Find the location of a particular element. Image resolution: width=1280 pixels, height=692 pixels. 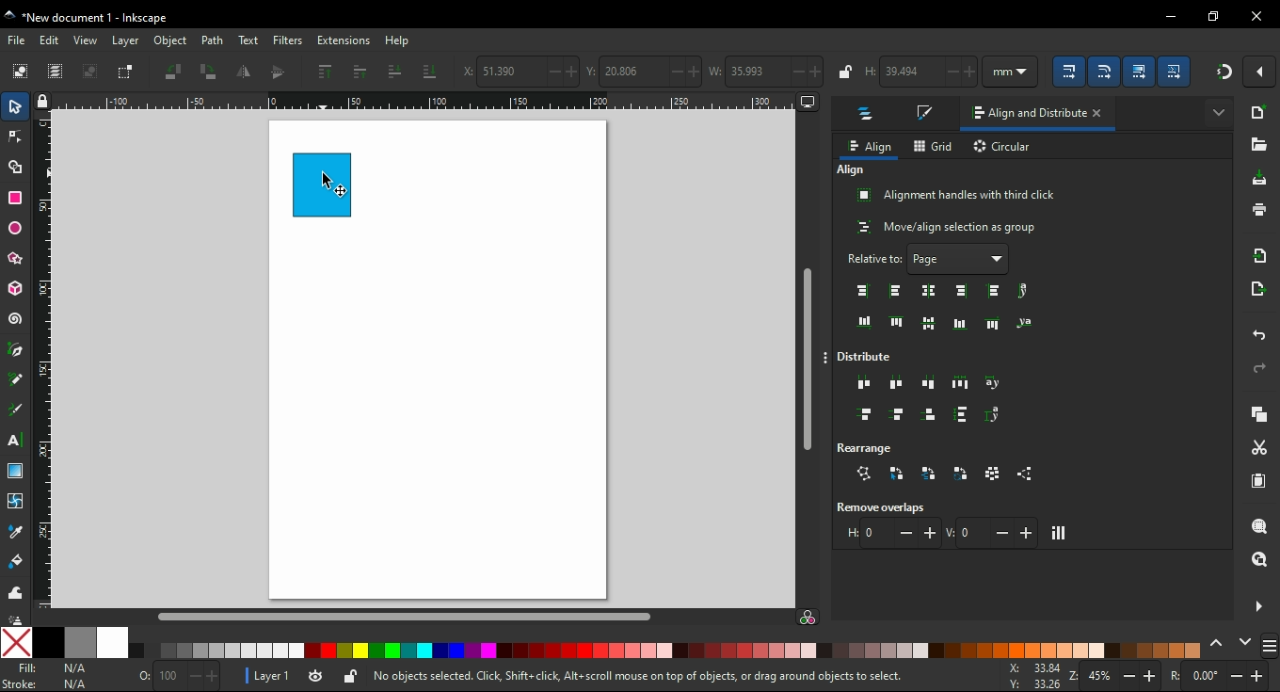

distribute vertically with even spacing between bottom edges is located at coordinates (932, 417).